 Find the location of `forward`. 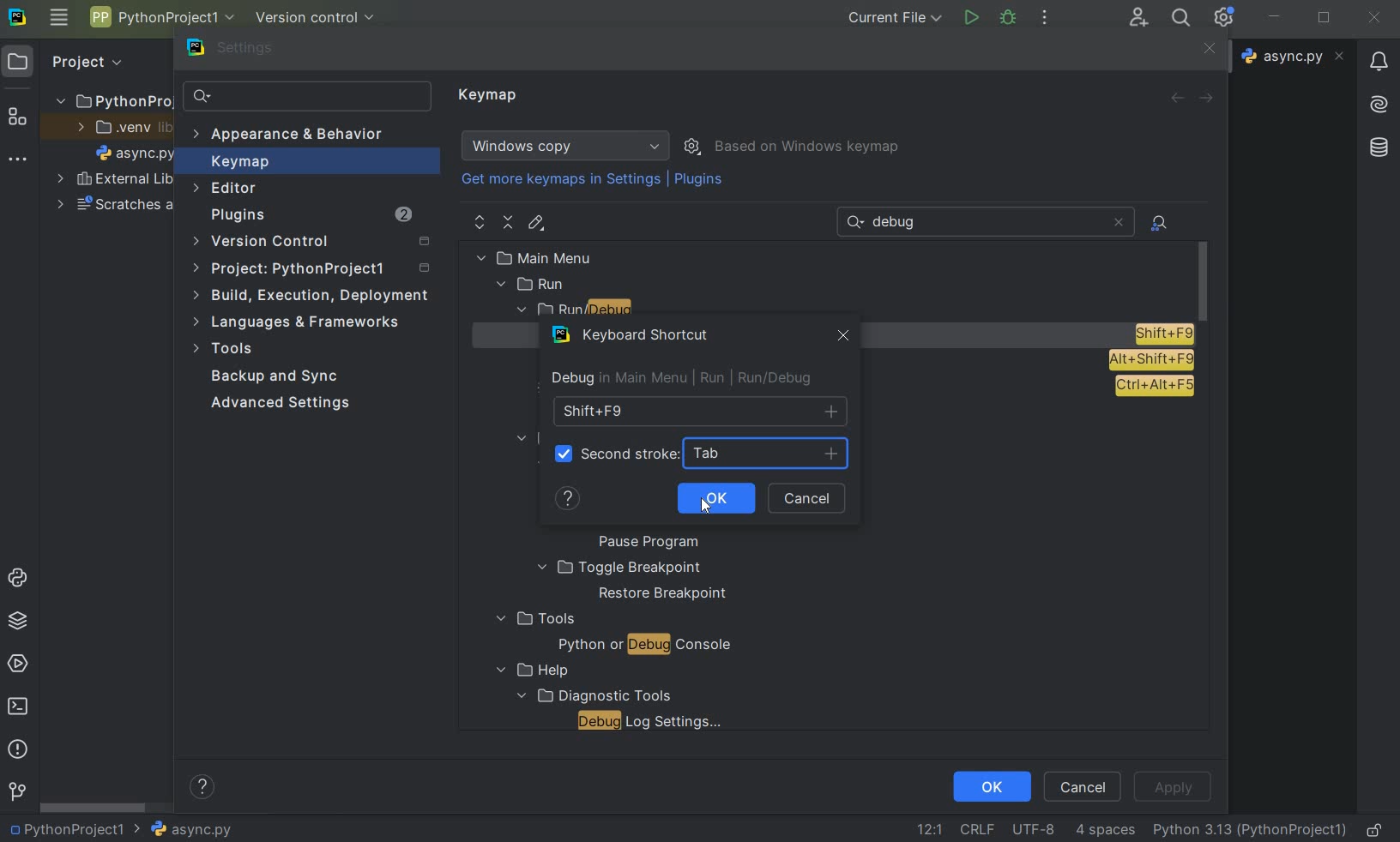

forward is located at coordinates (1210, 99).